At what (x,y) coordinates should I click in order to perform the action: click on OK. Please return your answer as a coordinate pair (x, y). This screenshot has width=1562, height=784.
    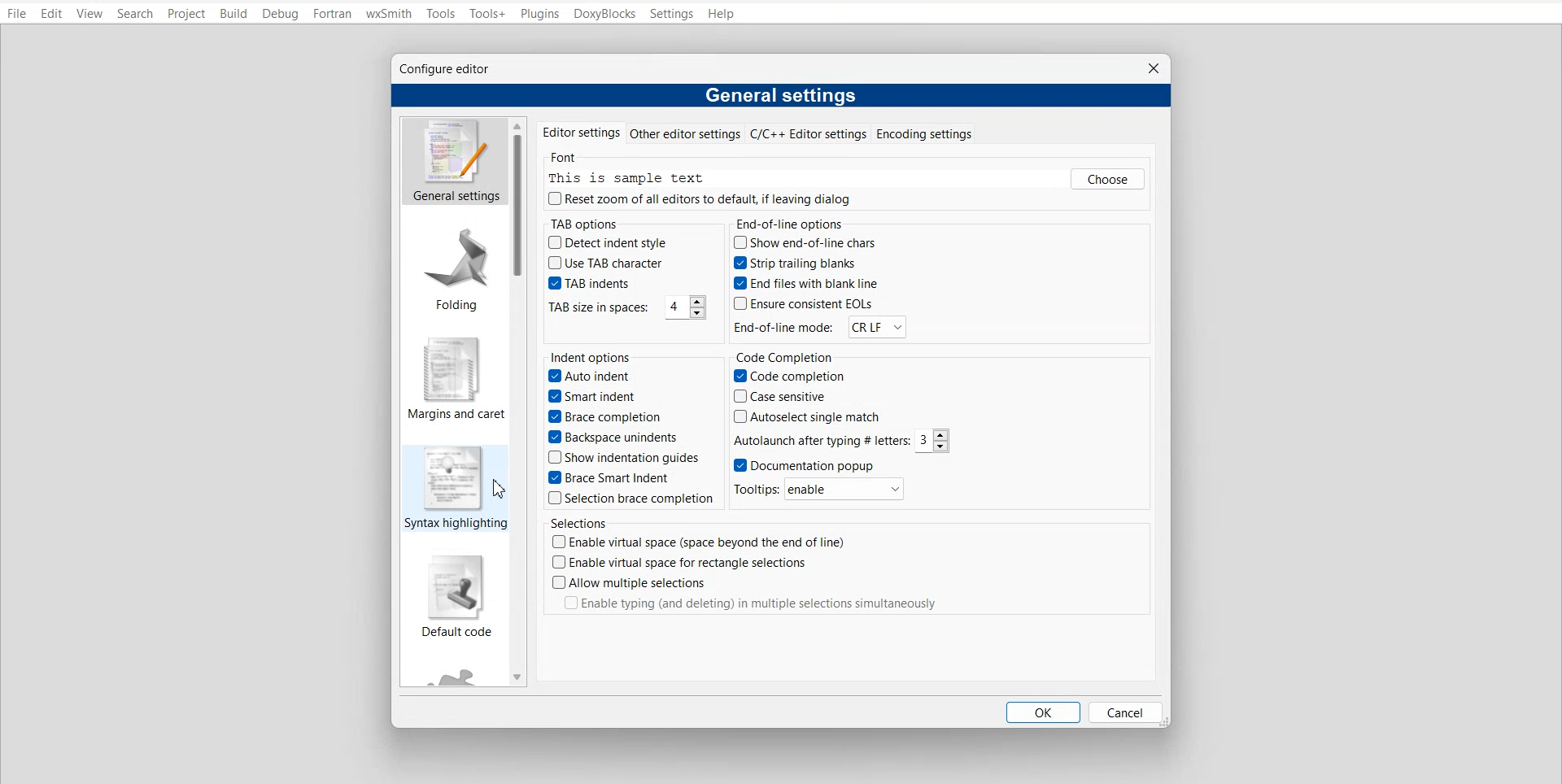
    Looking at the image, I should click on (1042, 712).